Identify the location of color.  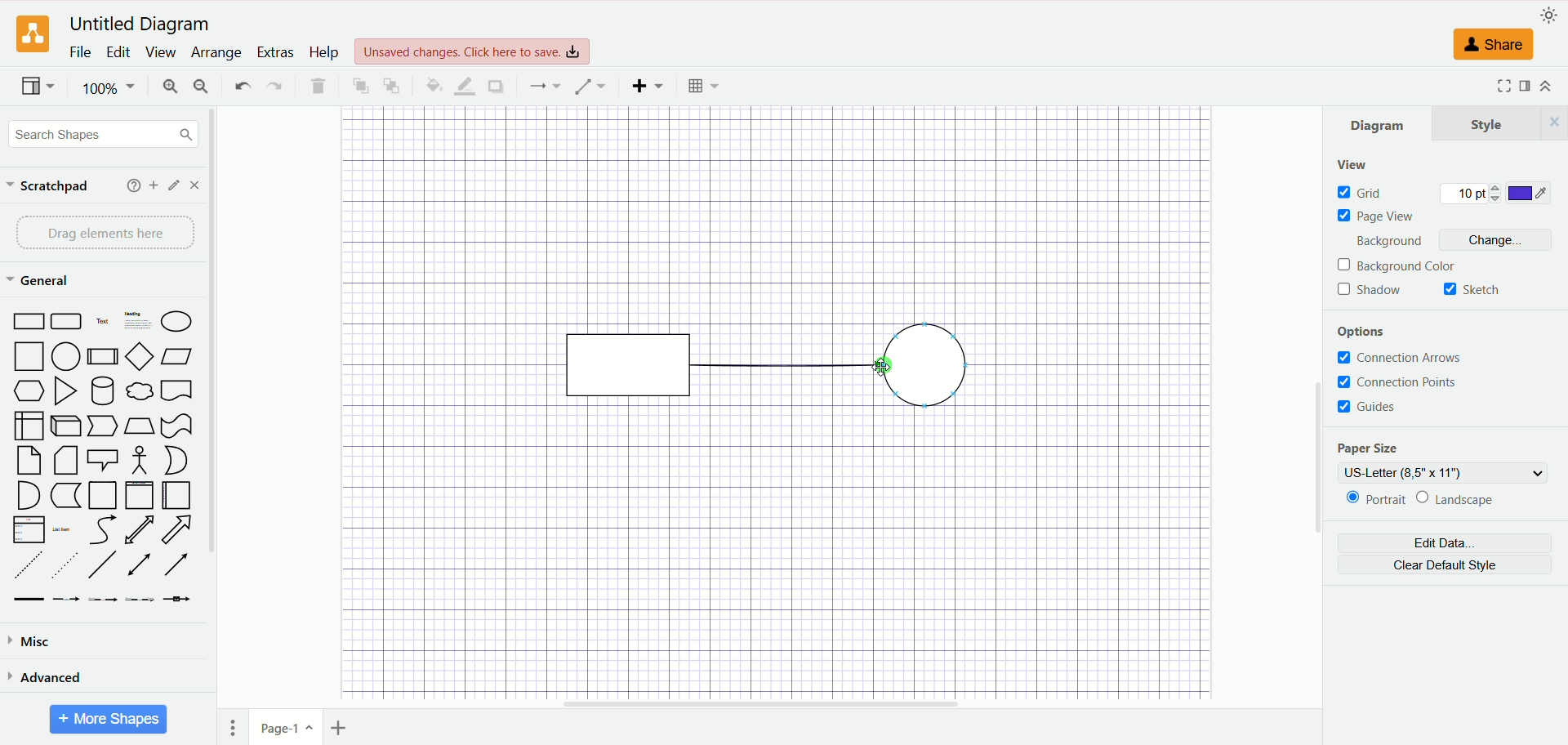
(1527, 191).